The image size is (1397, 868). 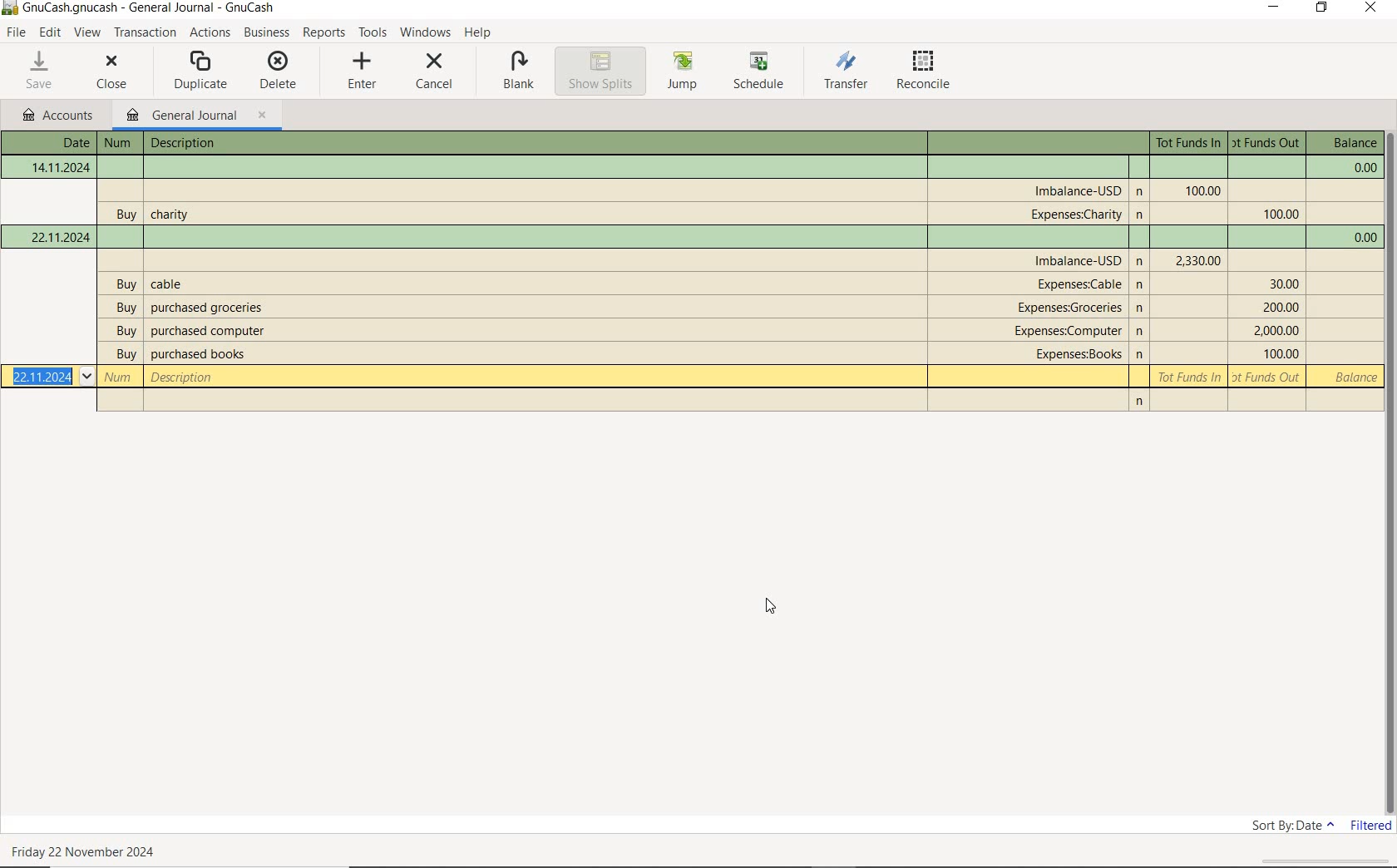 What do you see at coordinates (1142, 309) in the screenshot?
I see `n` at bounding box center [1142, 309].